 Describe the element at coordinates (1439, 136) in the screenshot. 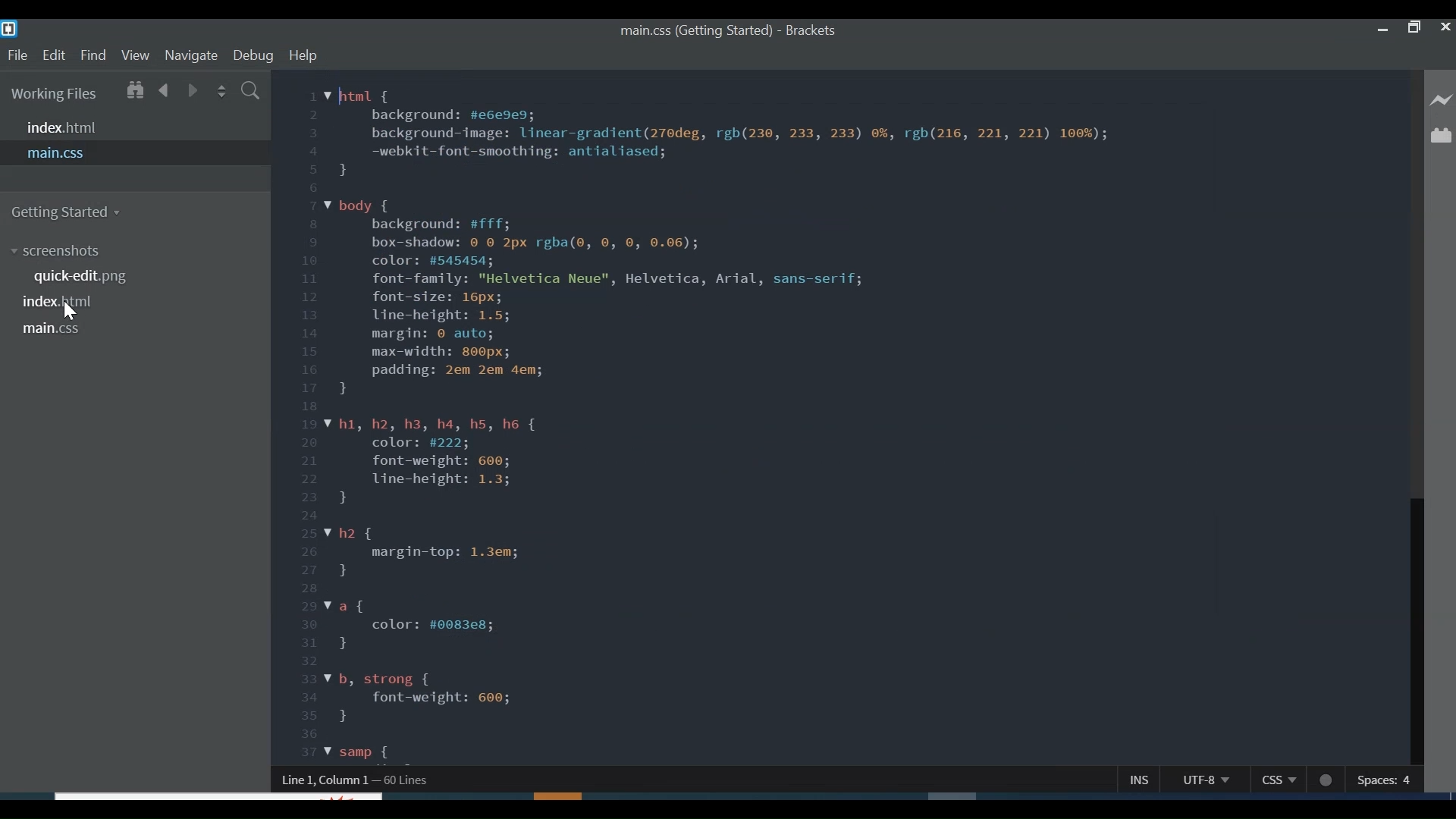

I see `Extension Manager` at that location.